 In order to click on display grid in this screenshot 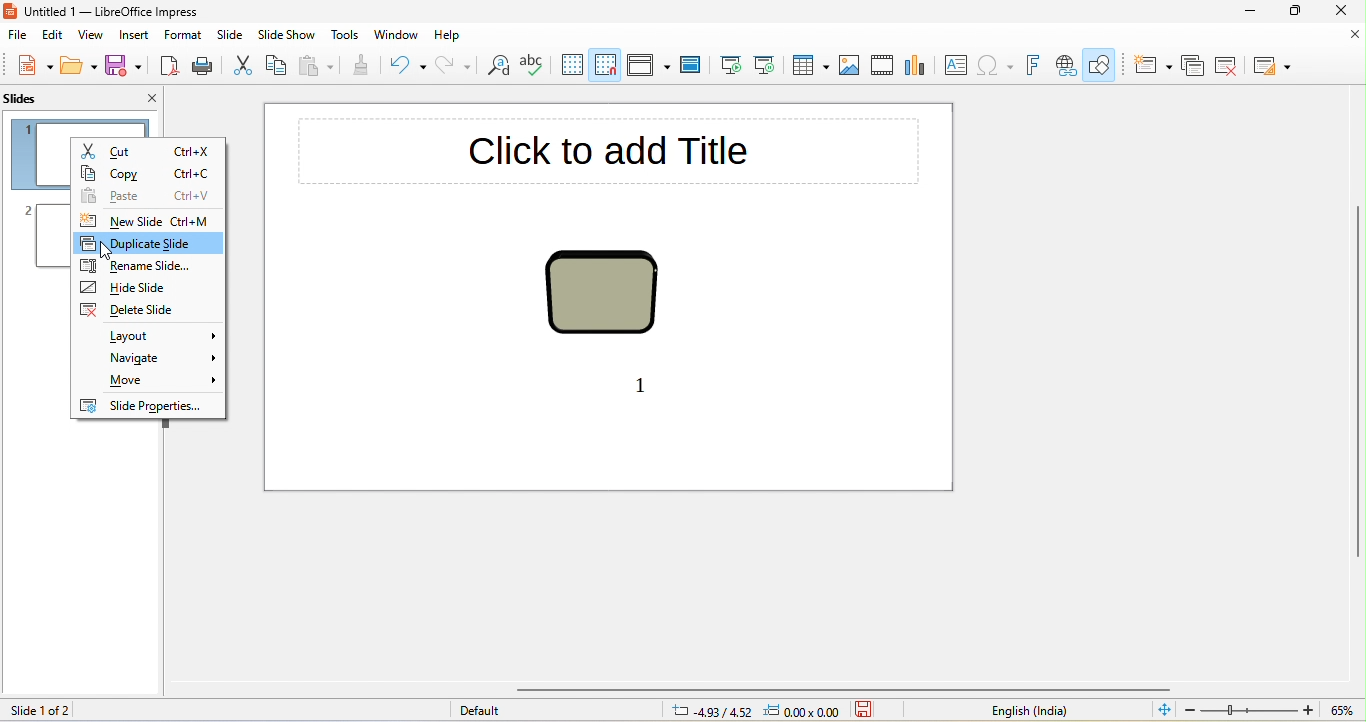, I will do `click(570, 66)`.